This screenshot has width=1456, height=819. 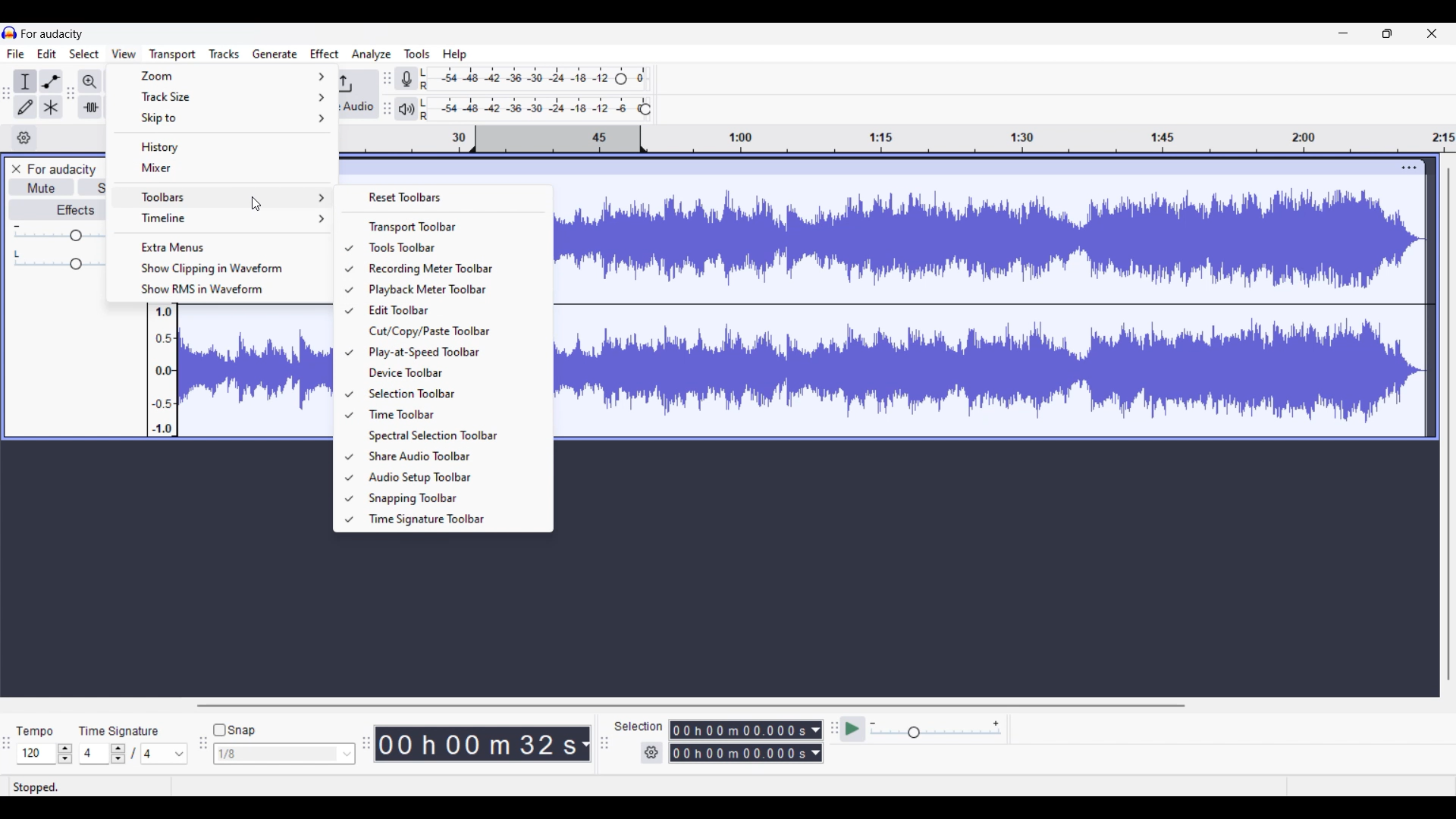 What do you see at coordinates (1432, 33) in the screenshot?
I see `Close interface` at bounding box center [1432, 33].